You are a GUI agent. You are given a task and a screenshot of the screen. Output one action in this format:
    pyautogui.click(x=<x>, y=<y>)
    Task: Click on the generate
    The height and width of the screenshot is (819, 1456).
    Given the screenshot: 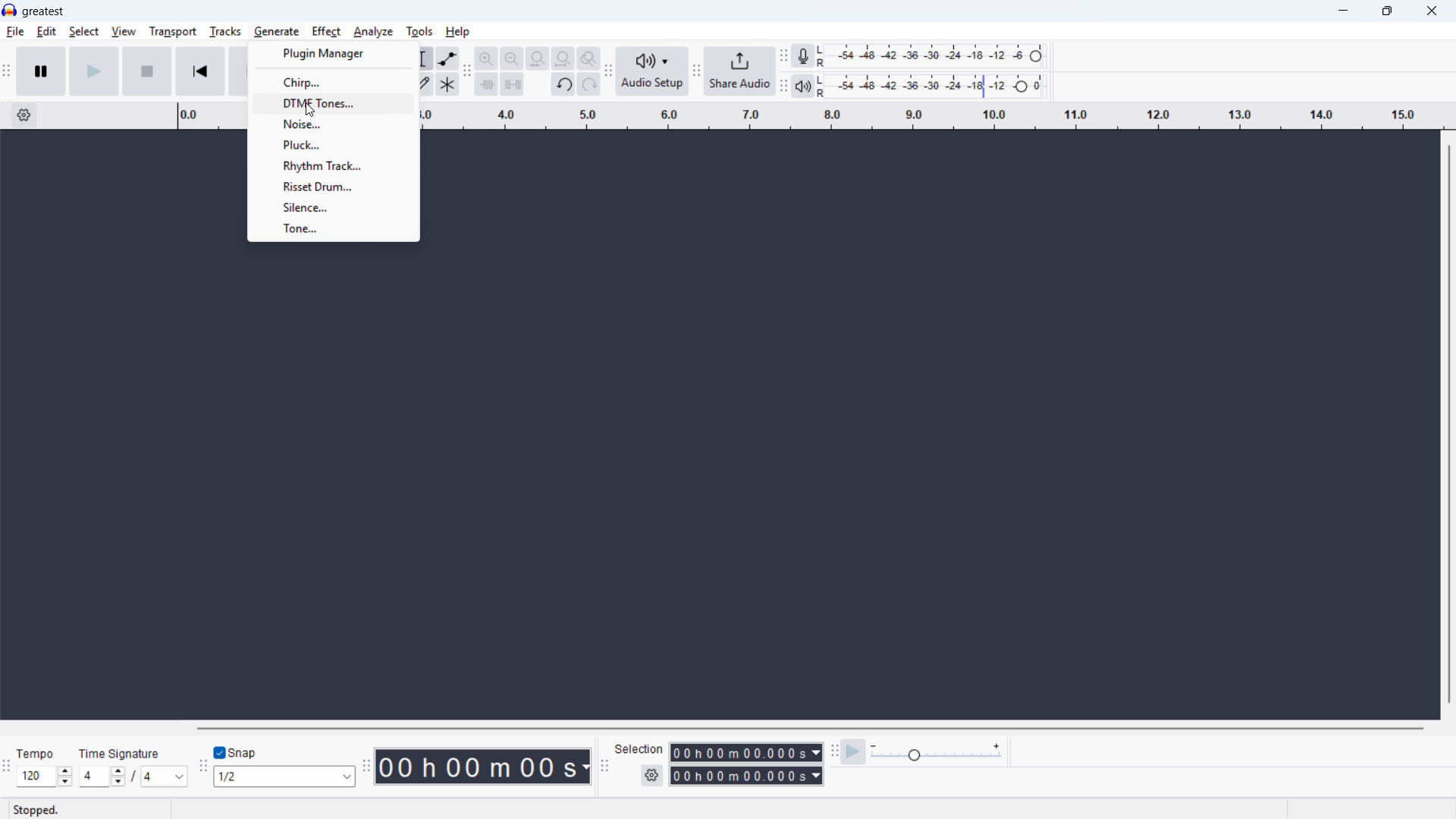 What is the action you would take?
    pyautogui.click(x=275, y=32)
    